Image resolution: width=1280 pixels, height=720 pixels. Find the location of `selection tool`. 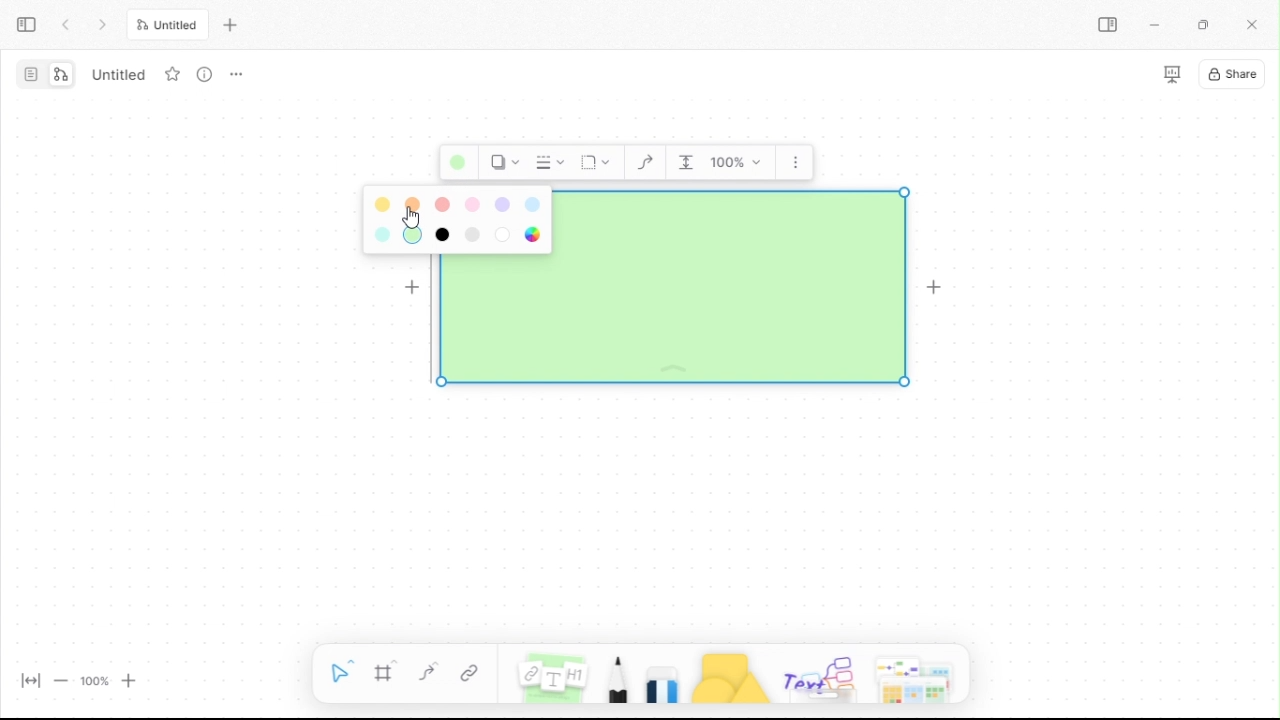

selection tool is located at coordinates (339, 675).